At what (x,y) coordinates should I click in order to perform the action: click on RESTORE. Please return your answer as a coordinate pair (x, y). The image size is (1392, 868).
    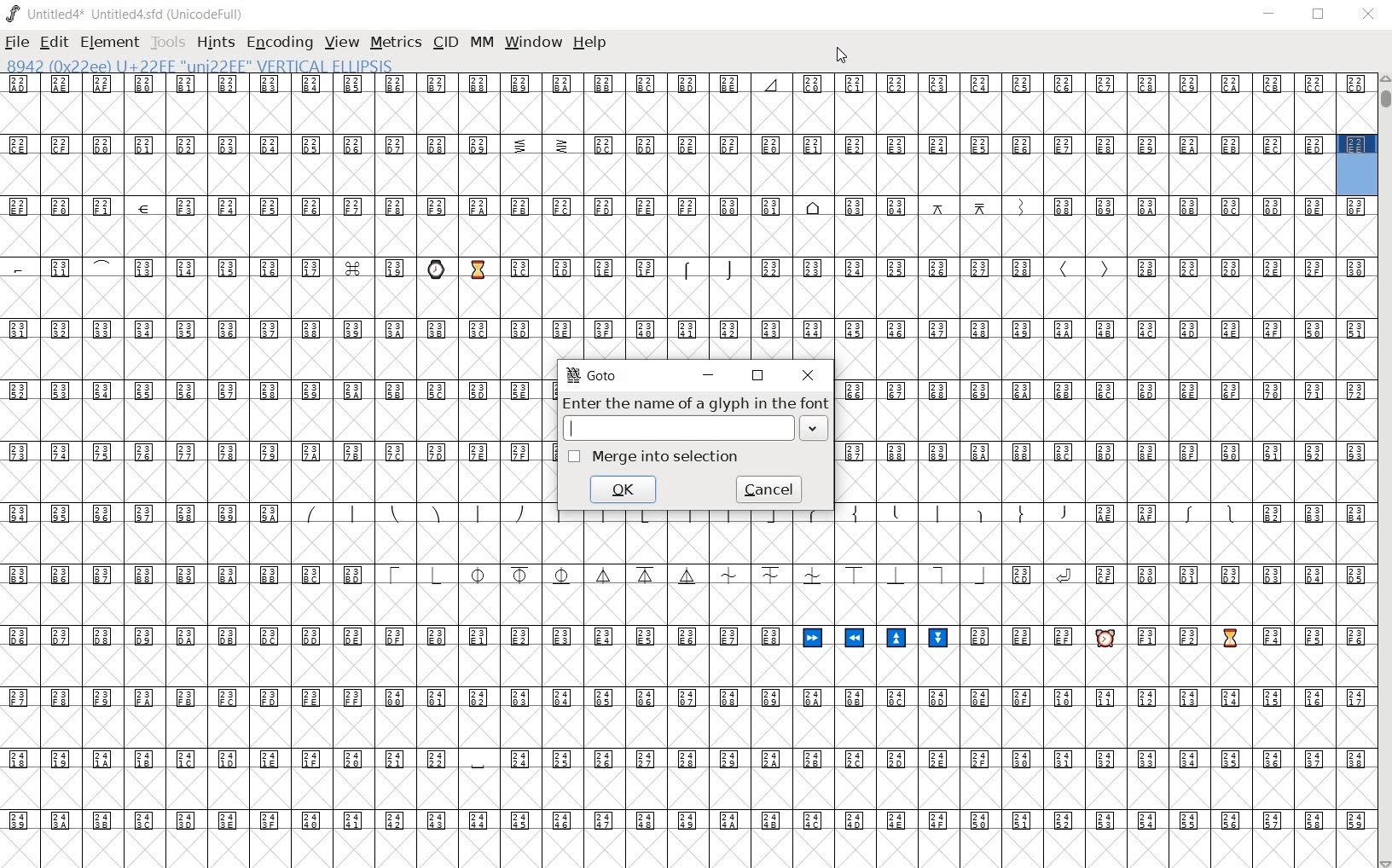
    Looking at the image, I should click on (1322, 15).